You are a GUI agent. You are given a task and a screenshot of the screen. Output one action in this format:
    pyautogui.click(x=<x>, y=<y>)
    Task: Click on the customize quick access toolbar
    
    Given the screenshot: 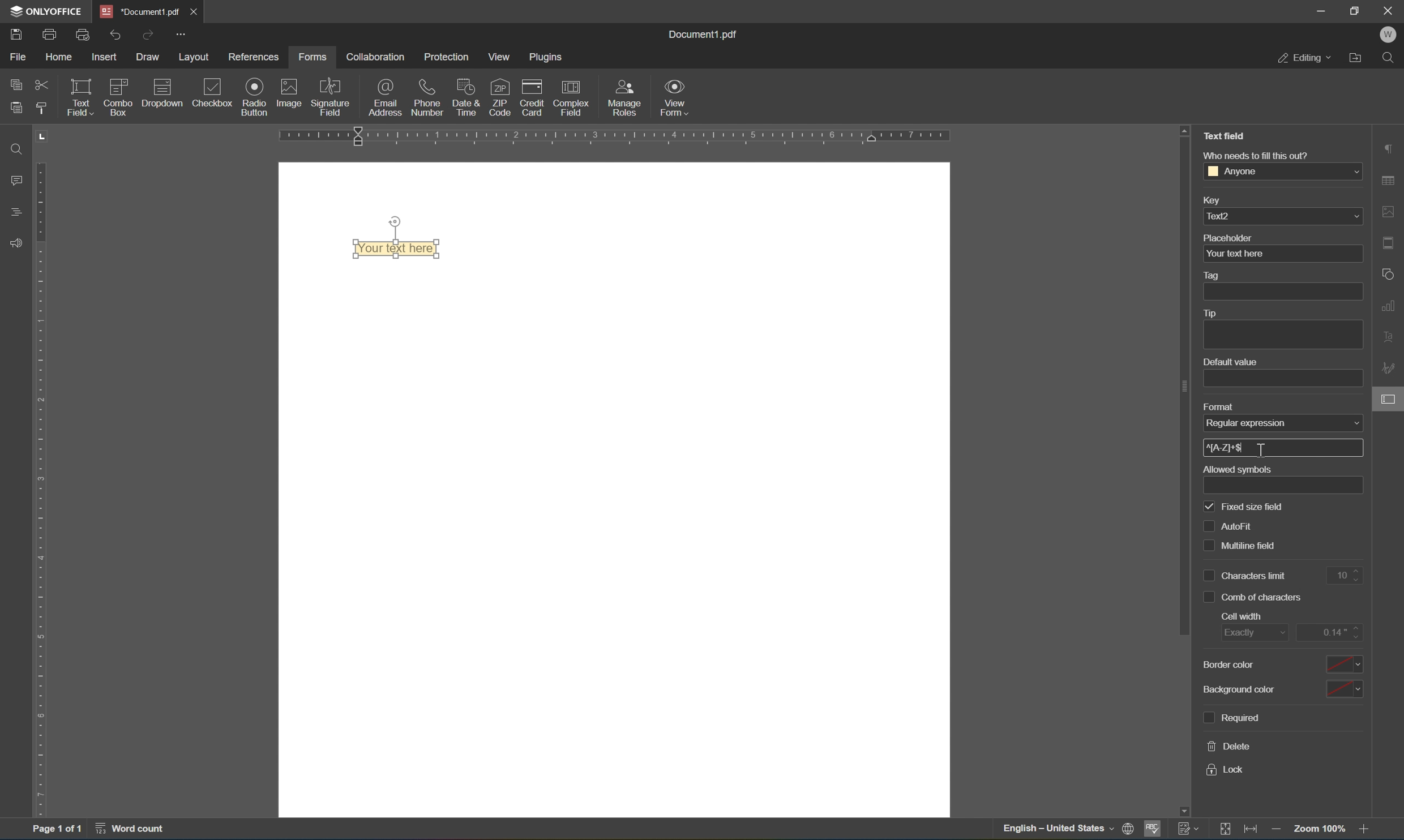 What is the action you would take?
    pyautogui.click(x=182, y=31)
    